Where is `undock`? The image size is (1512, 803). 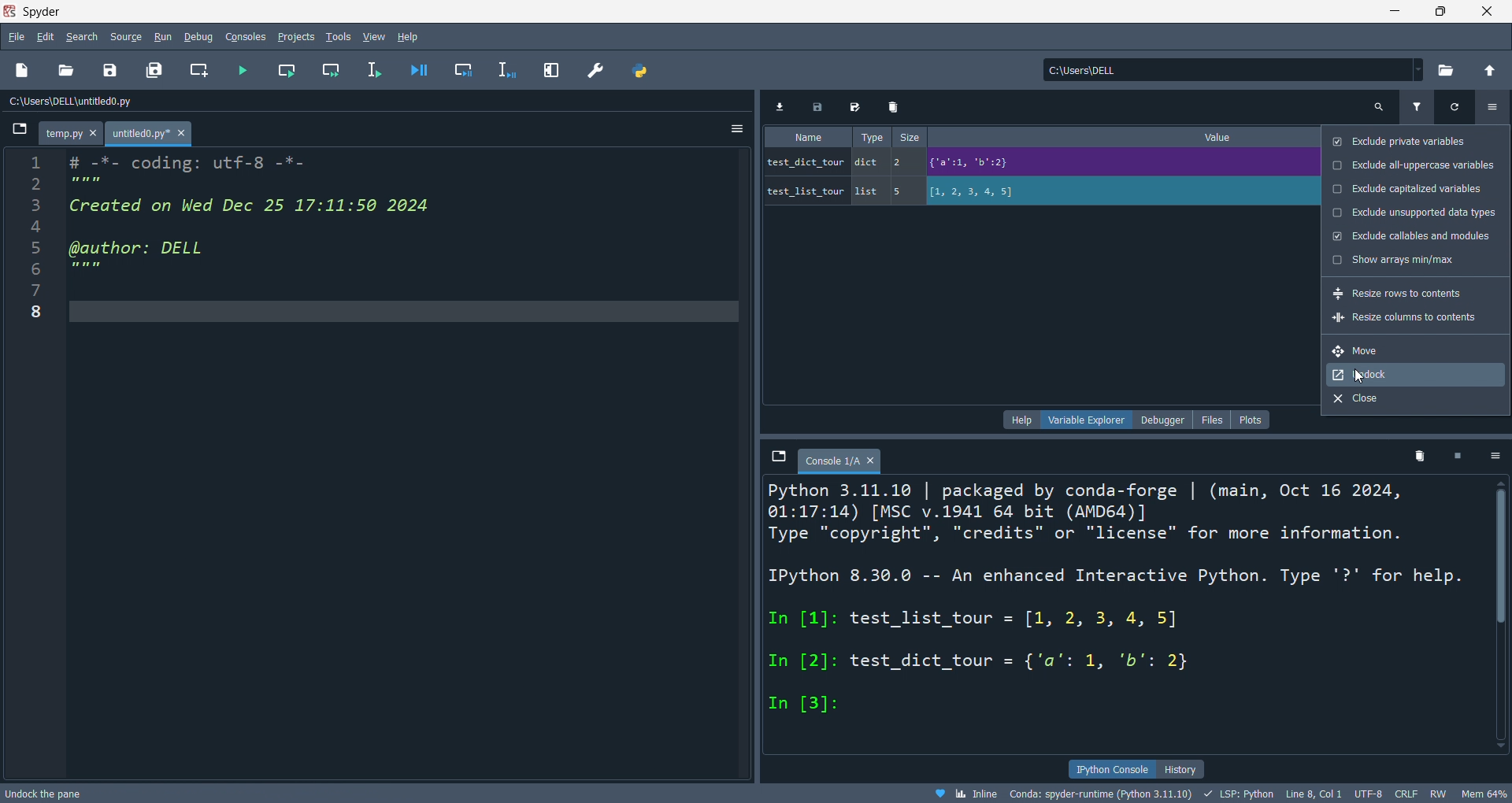
undock is located at coordinates (1412, 376).